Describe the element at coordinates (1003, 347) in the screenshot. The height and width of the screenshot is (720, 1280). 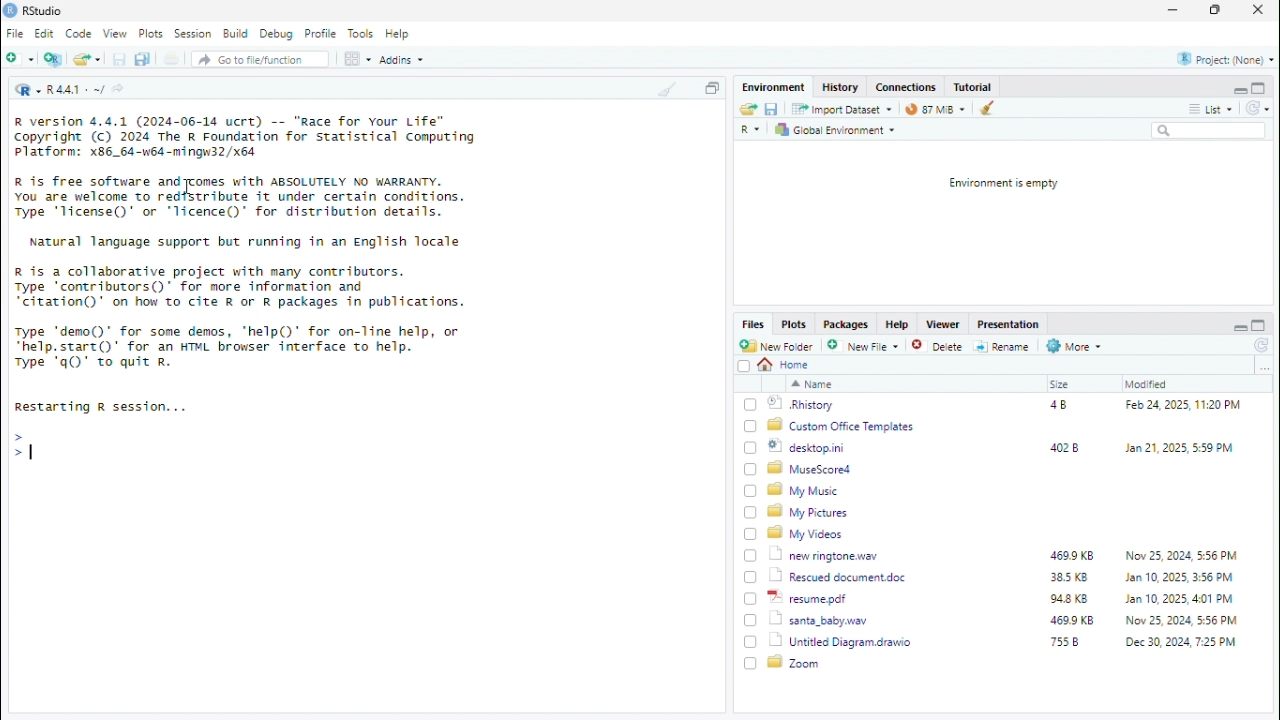
I see `Rename` at that location.